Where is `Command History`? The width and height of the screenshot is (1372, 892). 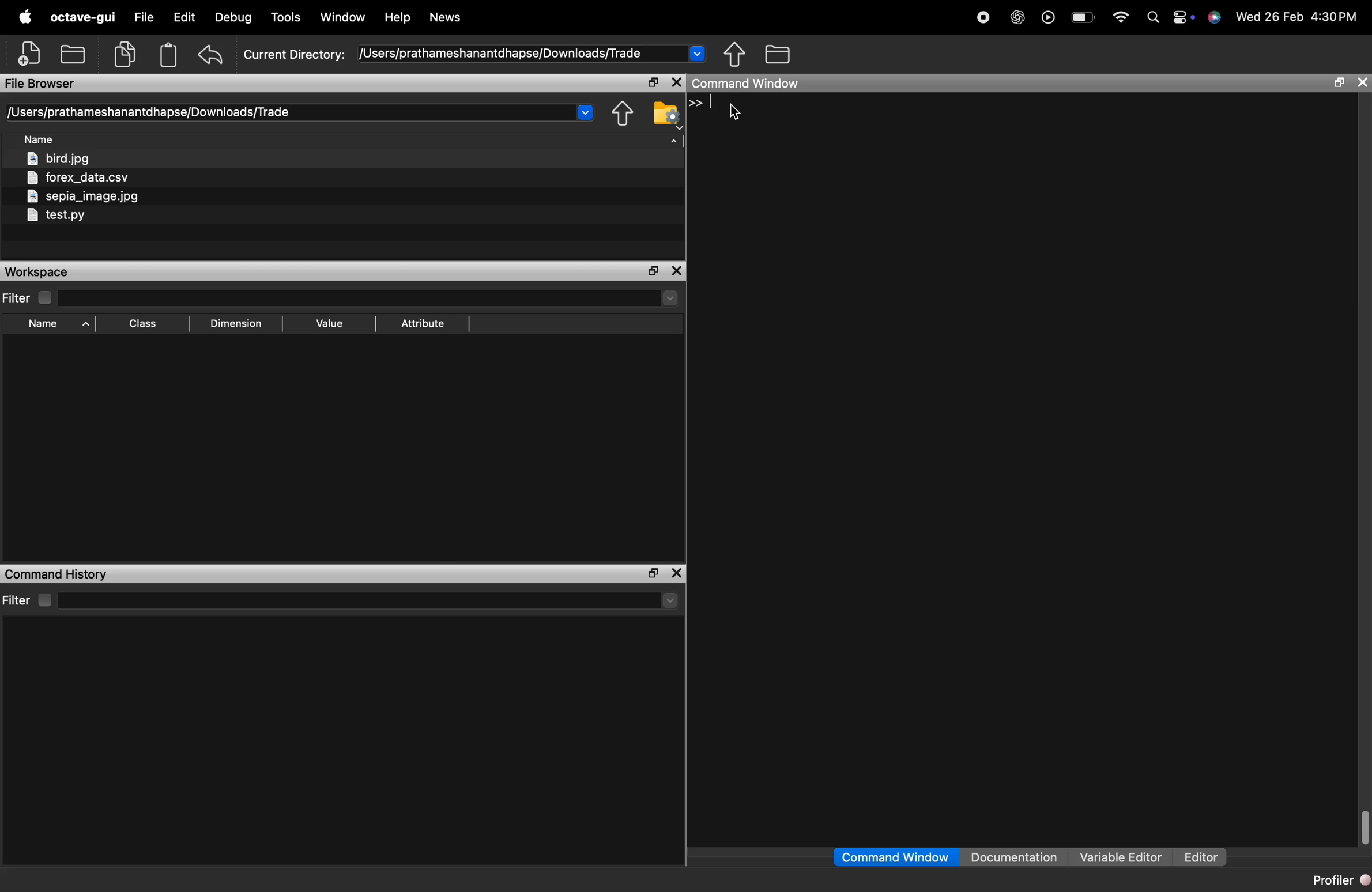 Command History is located at coordinates (55, 575).